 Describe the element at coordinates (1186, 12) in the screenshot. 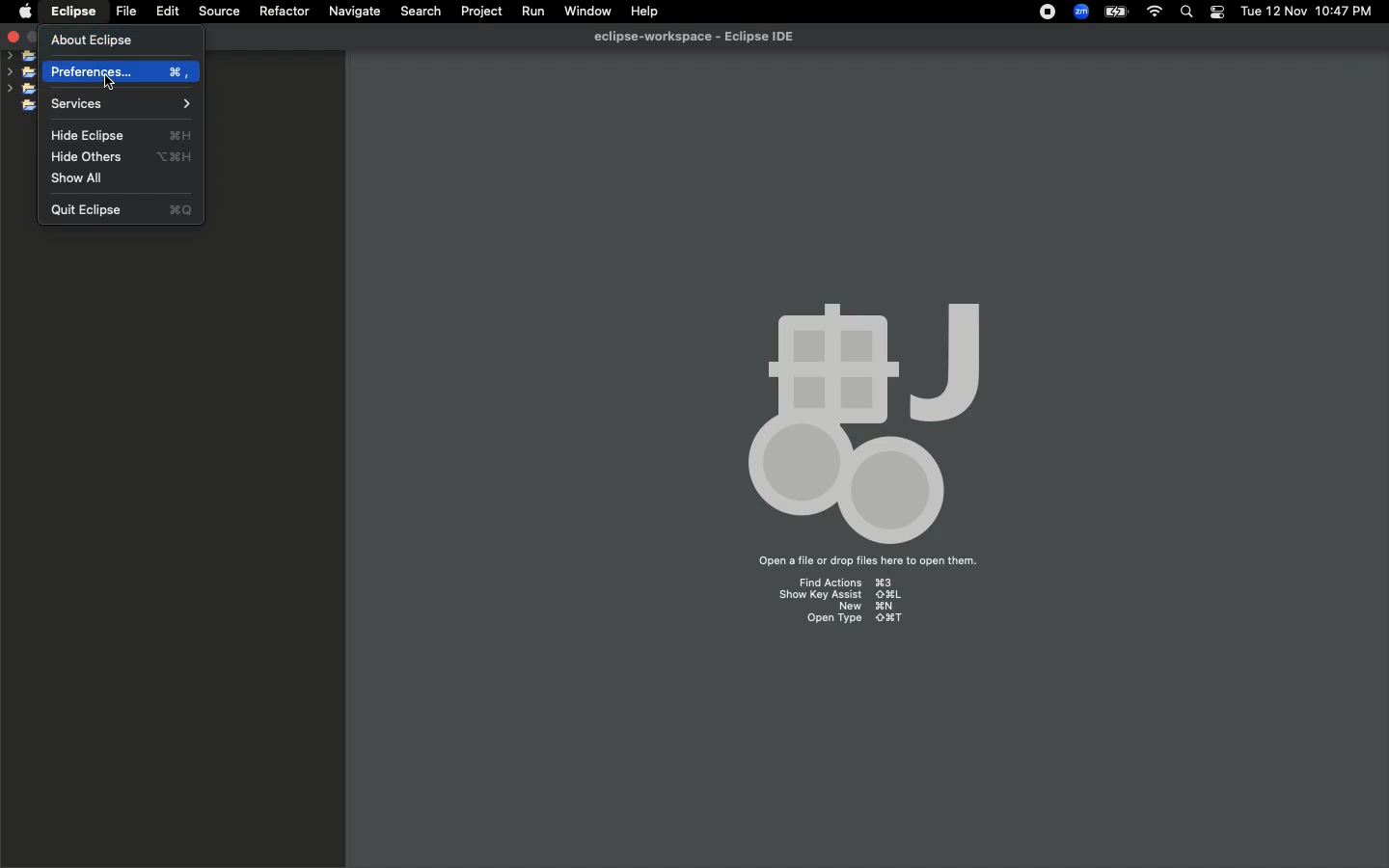

I see `Search` at that location.